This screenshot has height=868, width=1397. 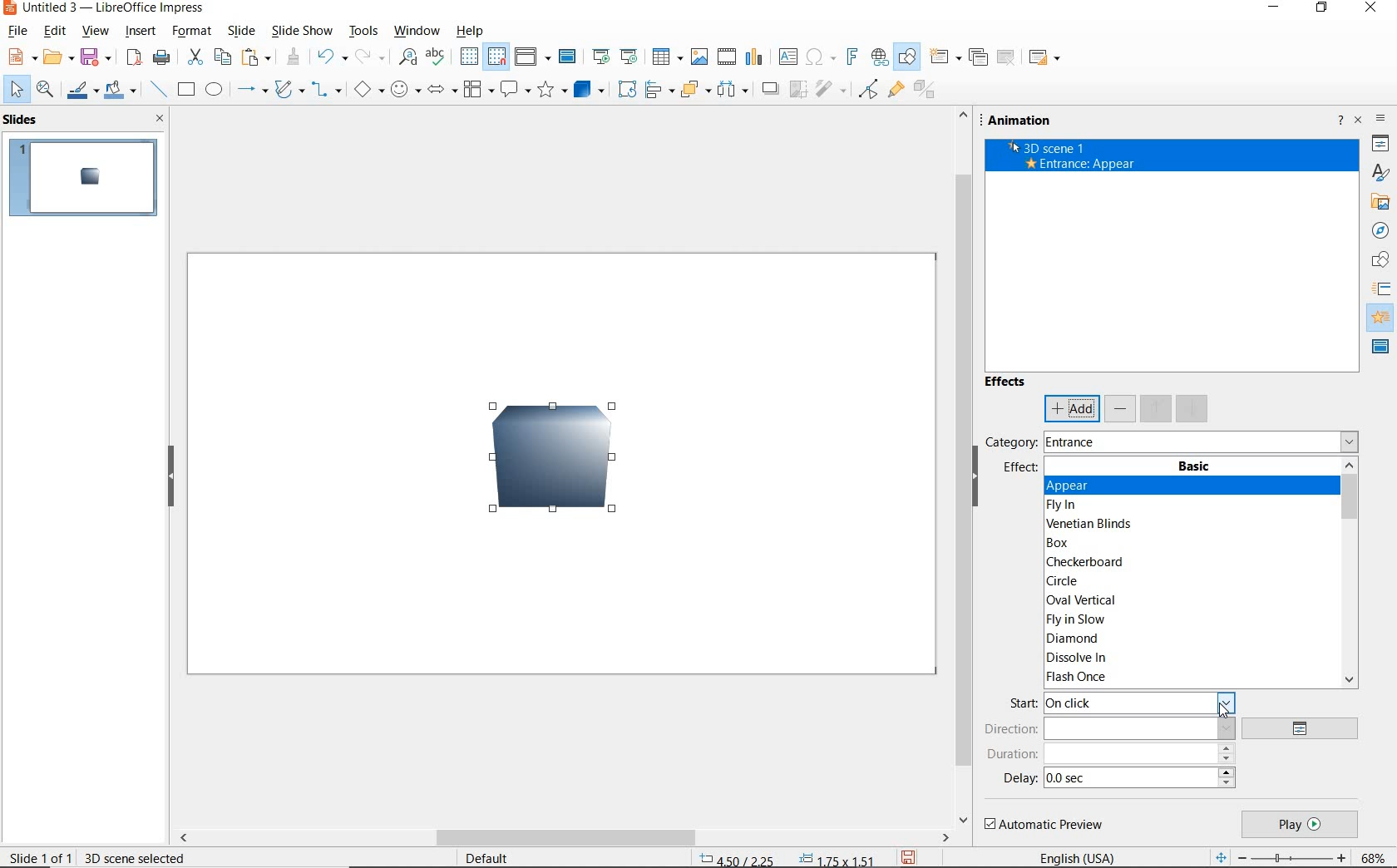 What do you see at coordinates (869, 87) in the screenshot?
I see `toggle point edit mode` at bounding box center [869, 87].